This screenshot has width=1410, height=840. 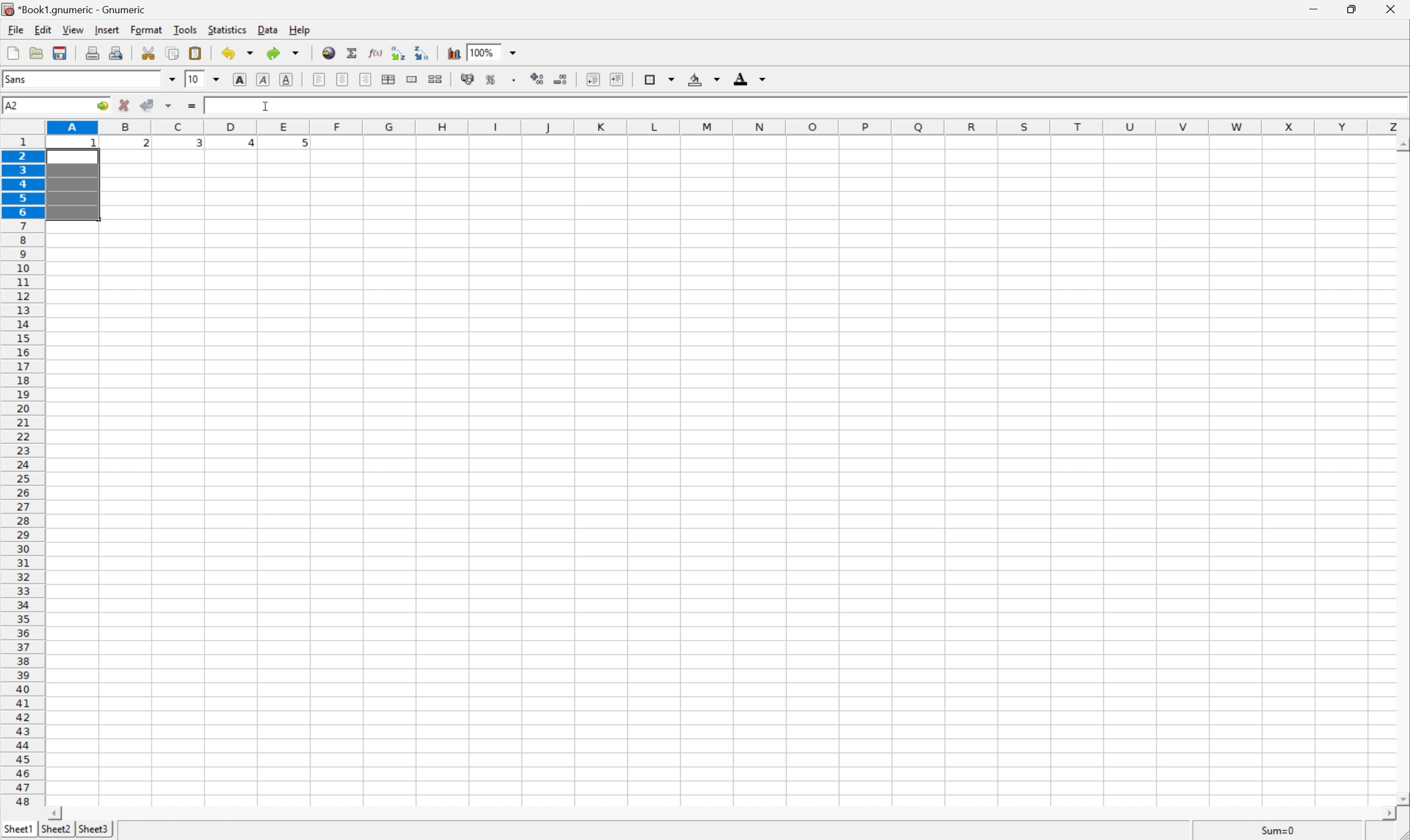 What do you see at coordinates (615, 79) in the screenshot?
I see `increase indent` at bounding box center [615, 79].